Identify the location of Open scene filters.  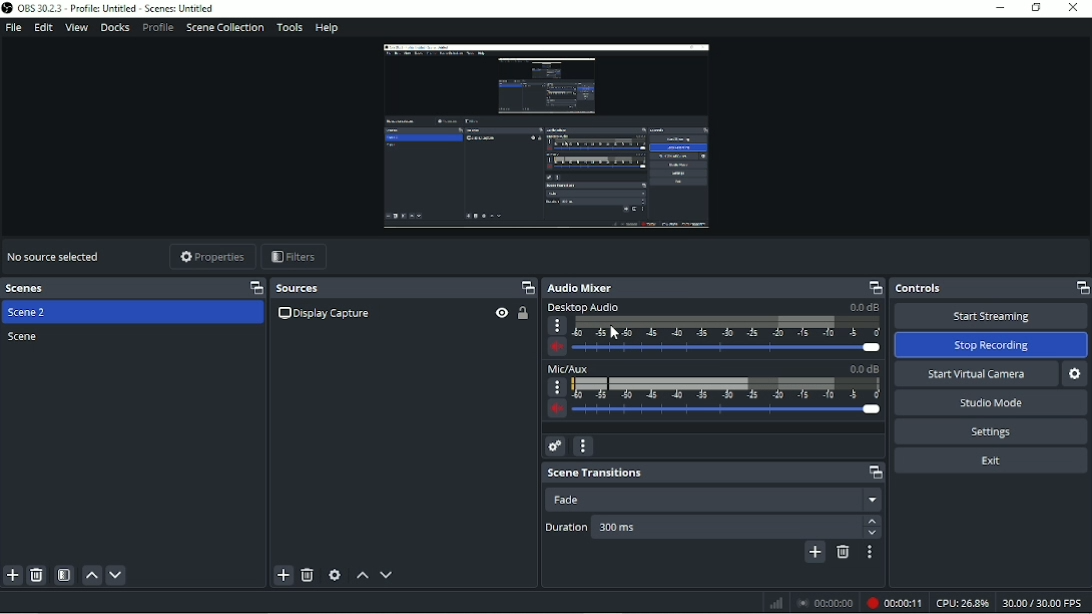
(64, 576).